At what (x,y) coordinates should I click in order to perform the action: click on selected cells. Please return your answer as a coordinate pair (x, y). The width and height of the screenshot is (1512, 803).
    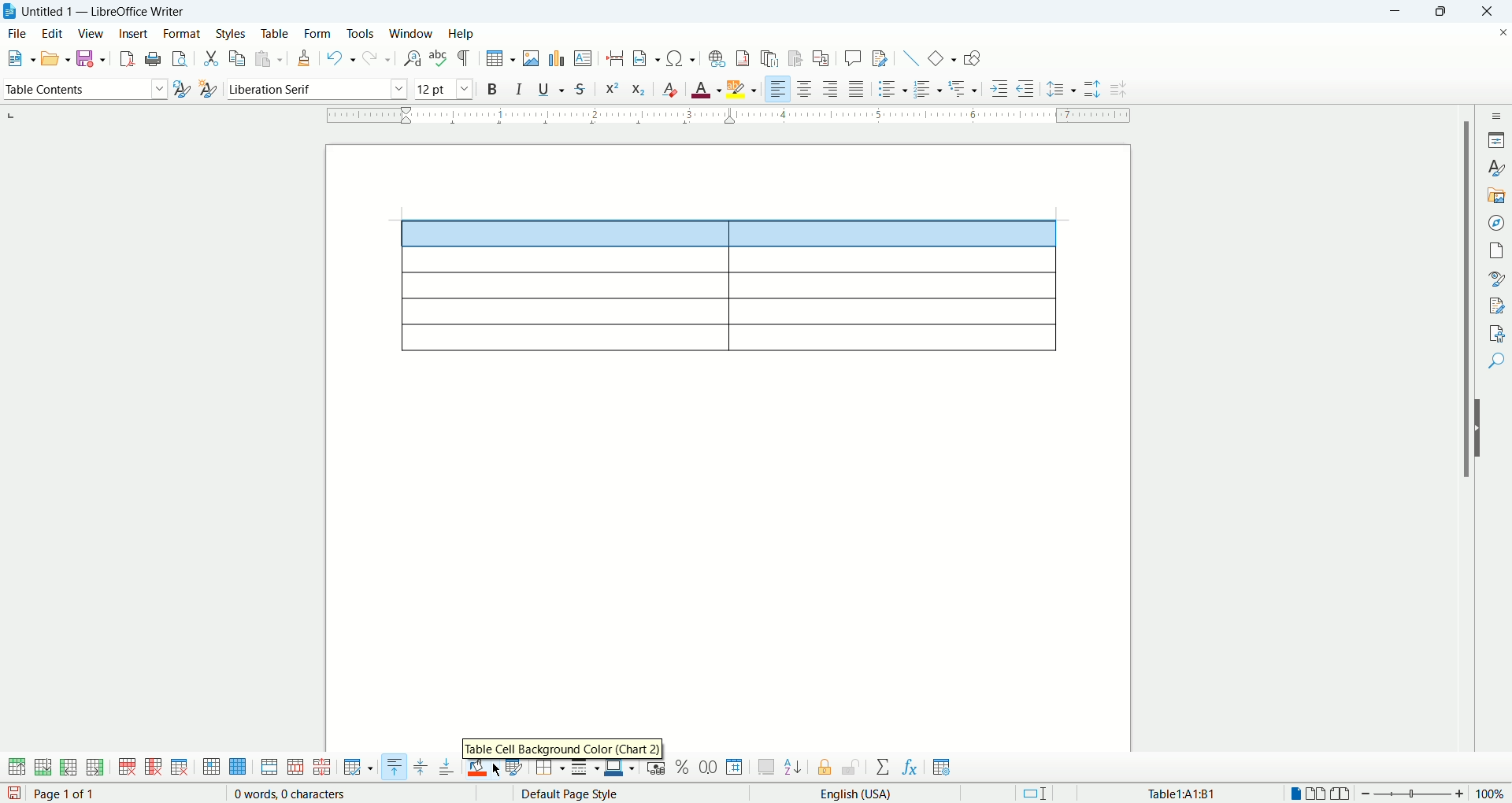
    Looking at the image, I should click on (730, 234).